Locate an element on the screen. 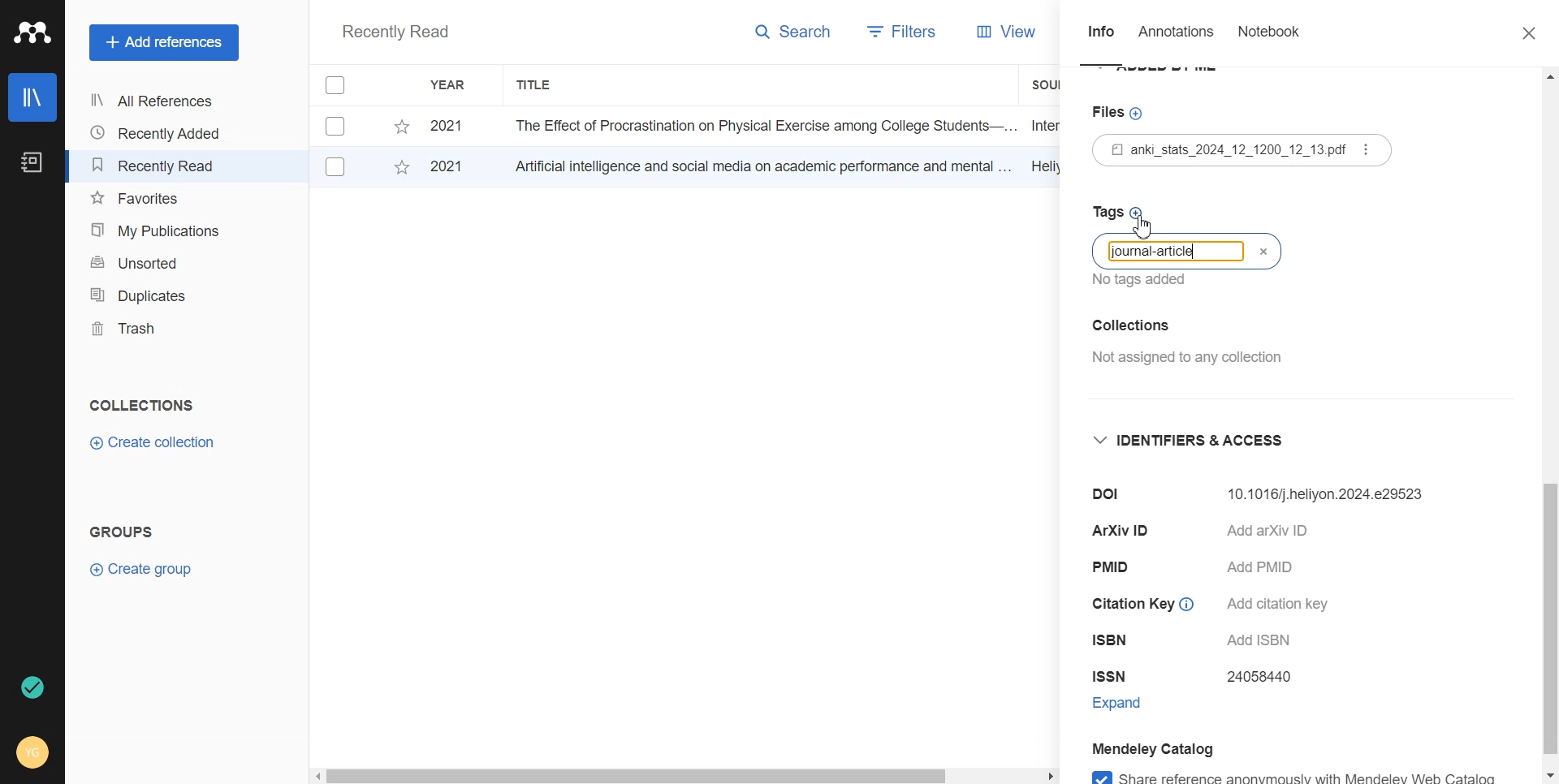  No tags added is located at coordinates (1145, 285).